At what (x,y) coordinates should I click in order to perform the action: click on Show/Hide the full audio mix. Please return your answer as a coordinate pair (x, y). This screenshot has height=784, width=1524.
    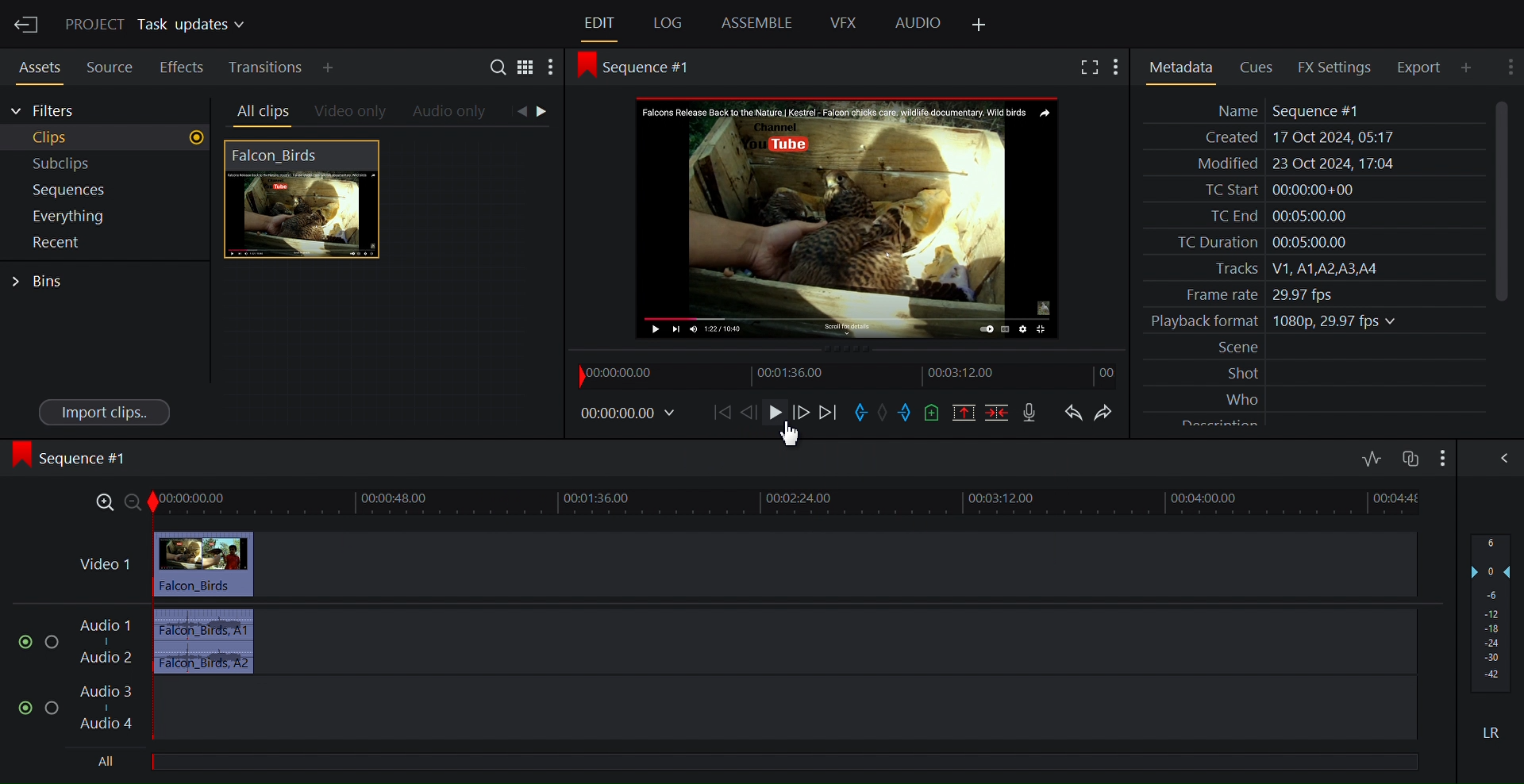
    Looking at the image, I should click on (1501, 458).